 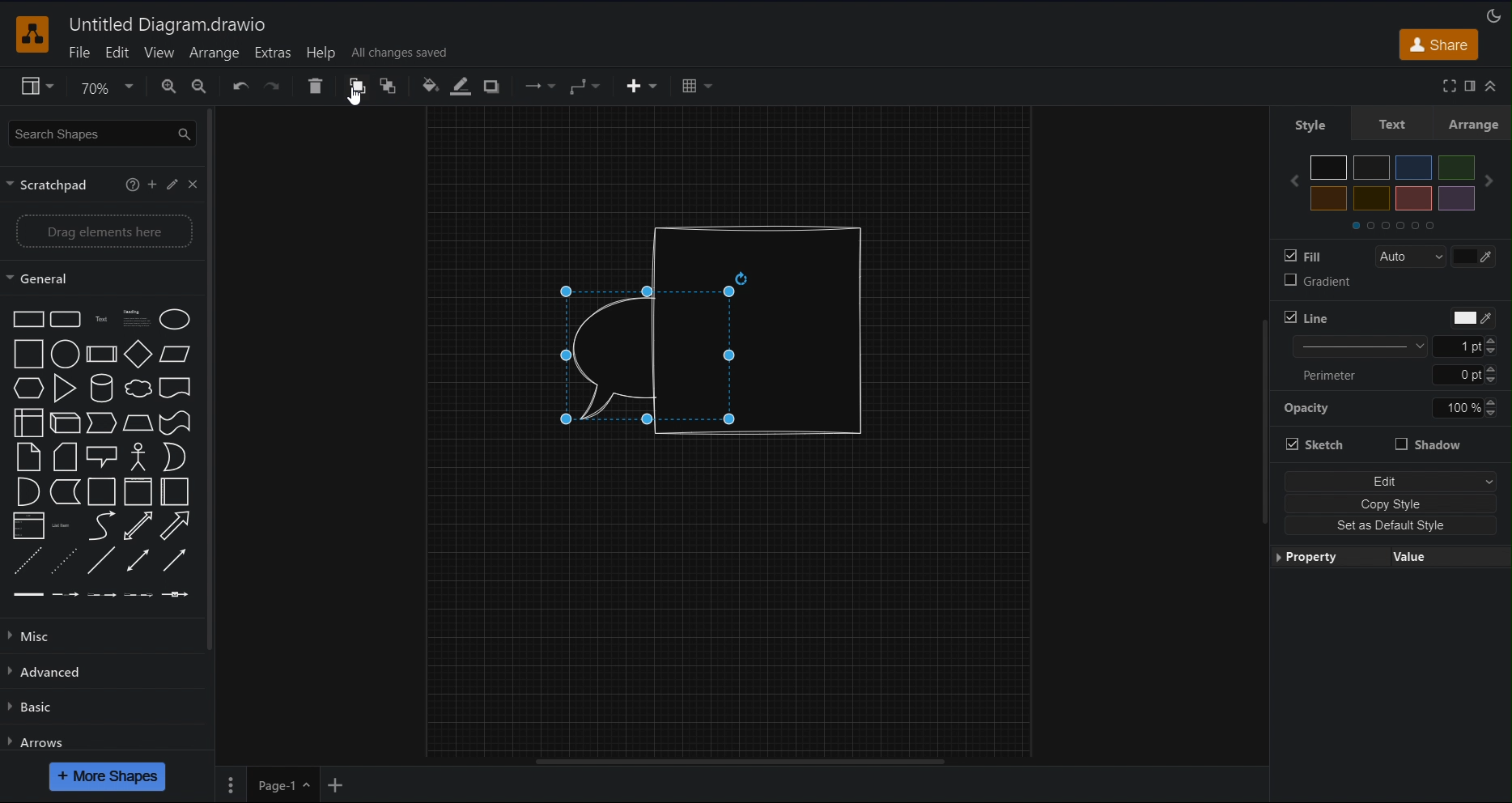 I want to click on Arrow, so click(x=176, y=526).